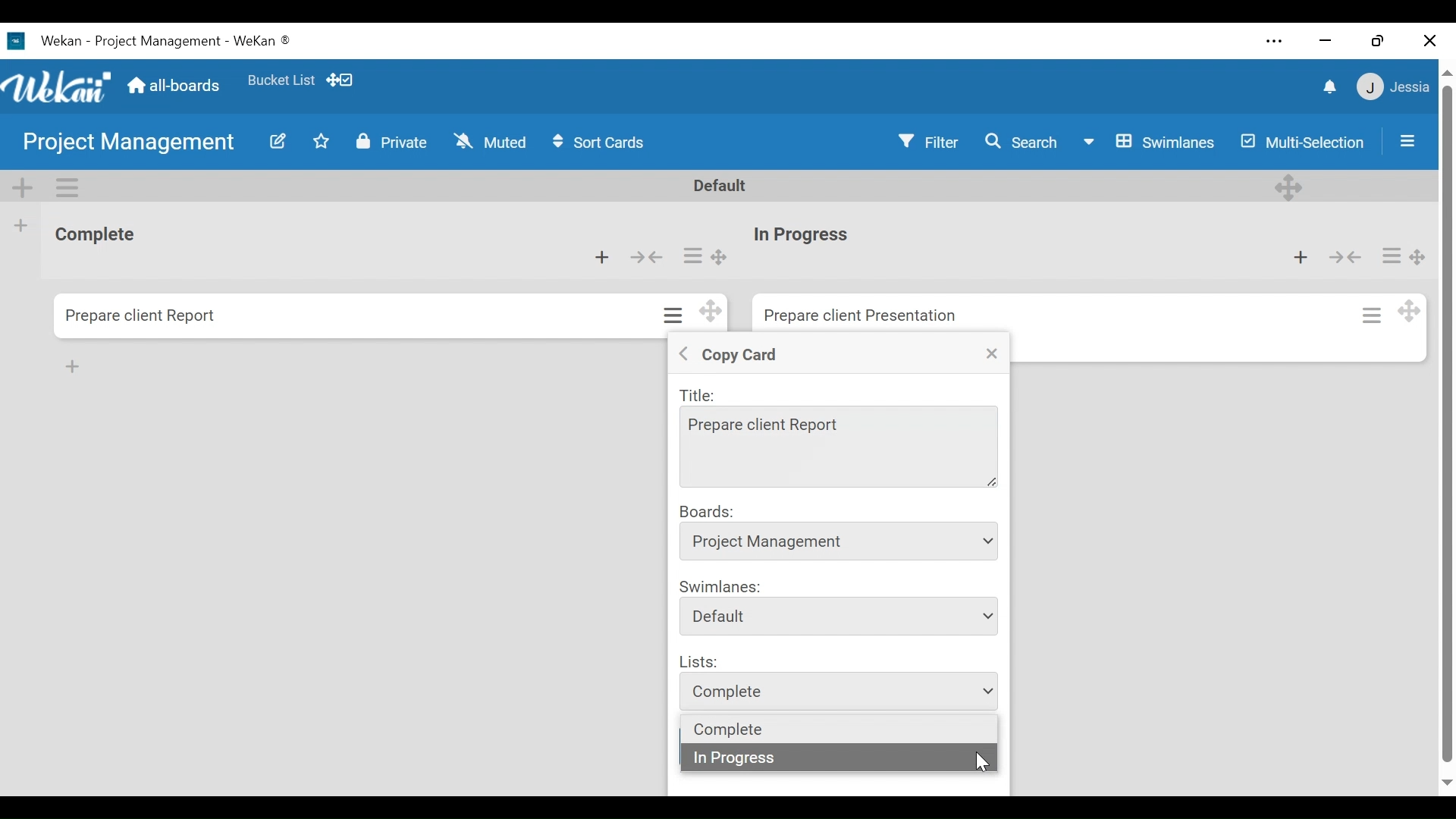 Image resolution: width=1456 pixels, height=819 pixels. I want to click on Filter, so click(934, 140).